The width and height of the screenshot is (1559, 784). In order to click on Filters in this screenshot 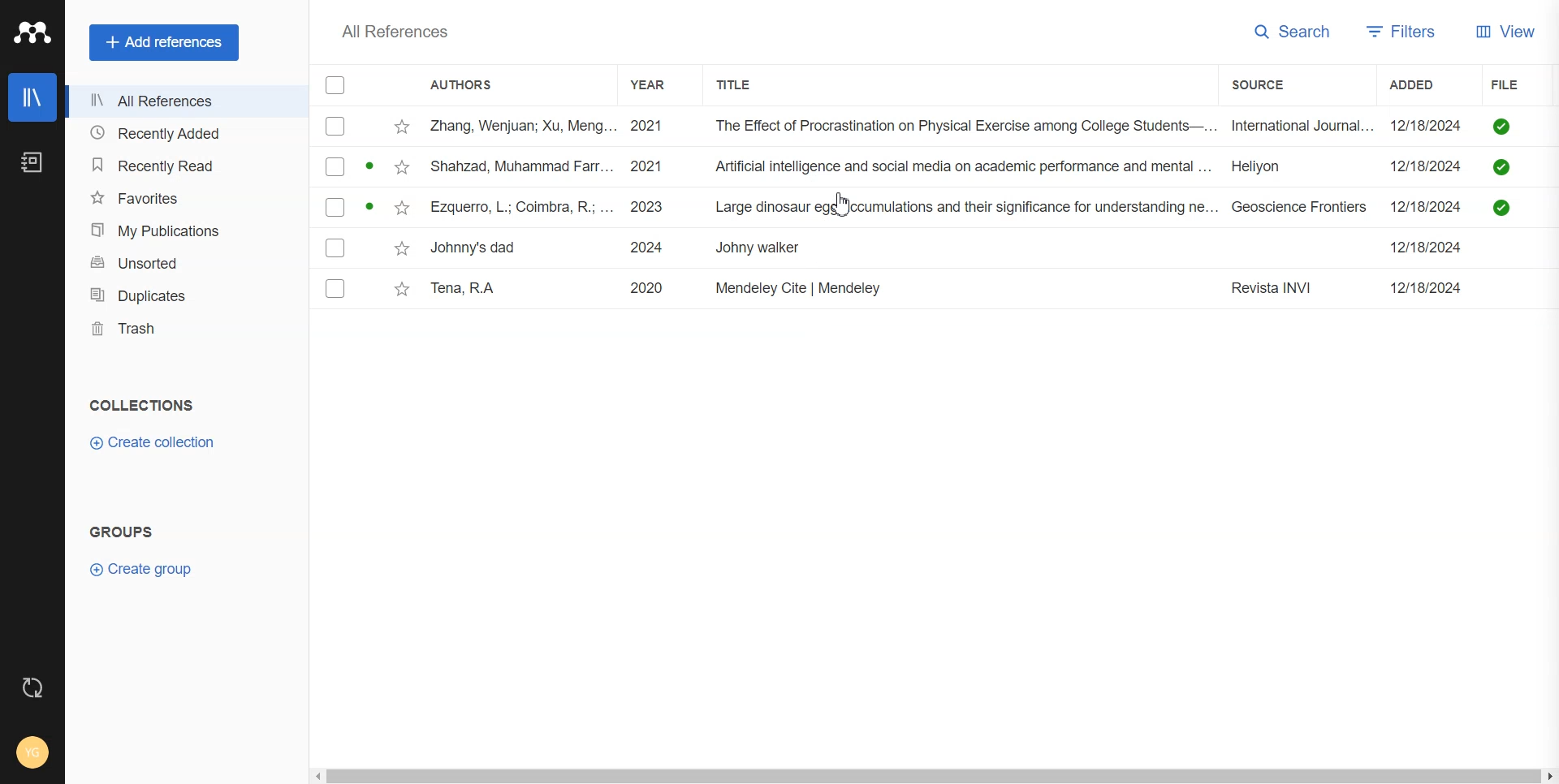, I will do `click(1403, 32)`.